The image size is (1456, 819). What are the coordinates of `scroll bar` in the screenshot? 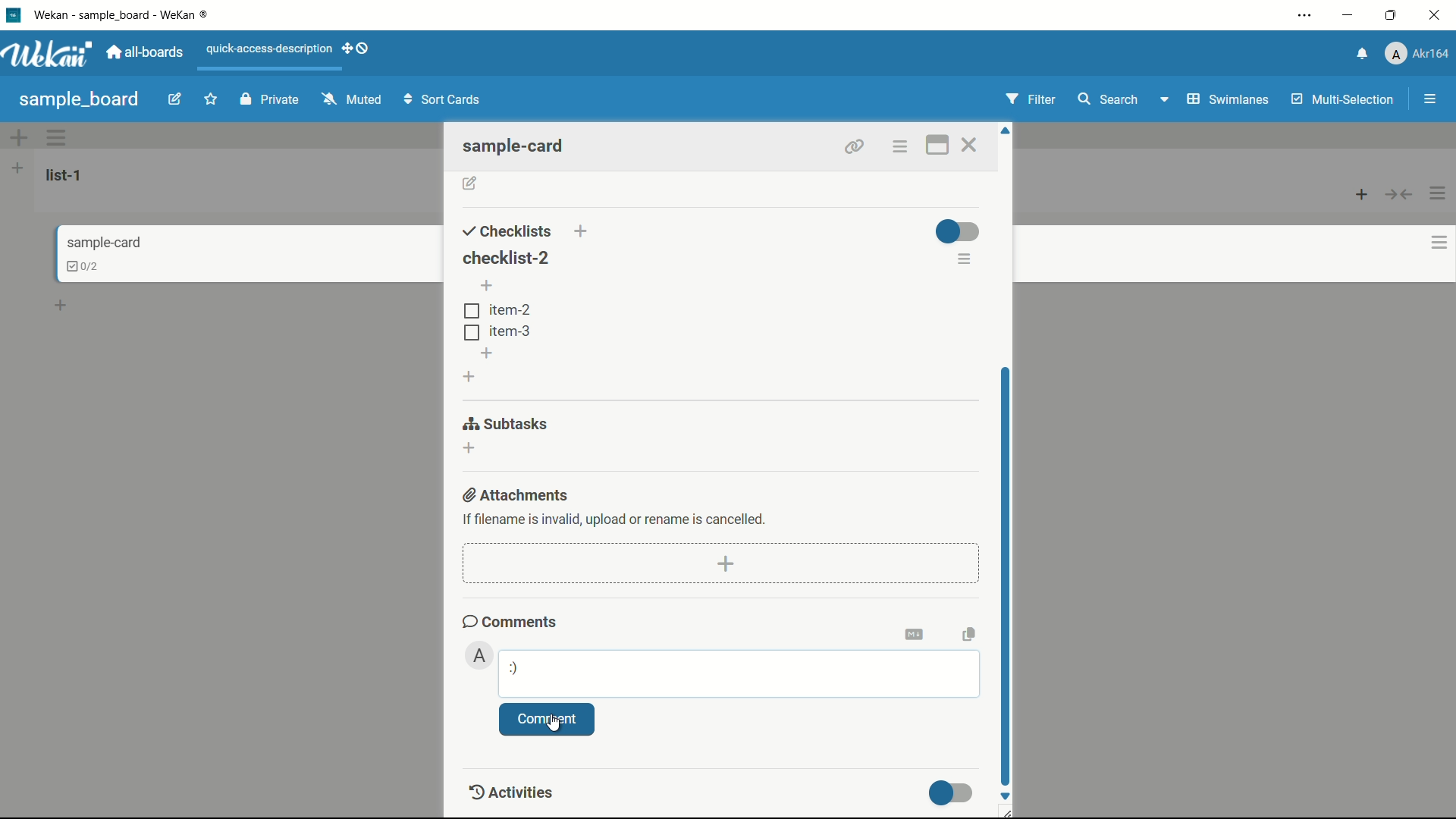 It's located at (1008, 571).